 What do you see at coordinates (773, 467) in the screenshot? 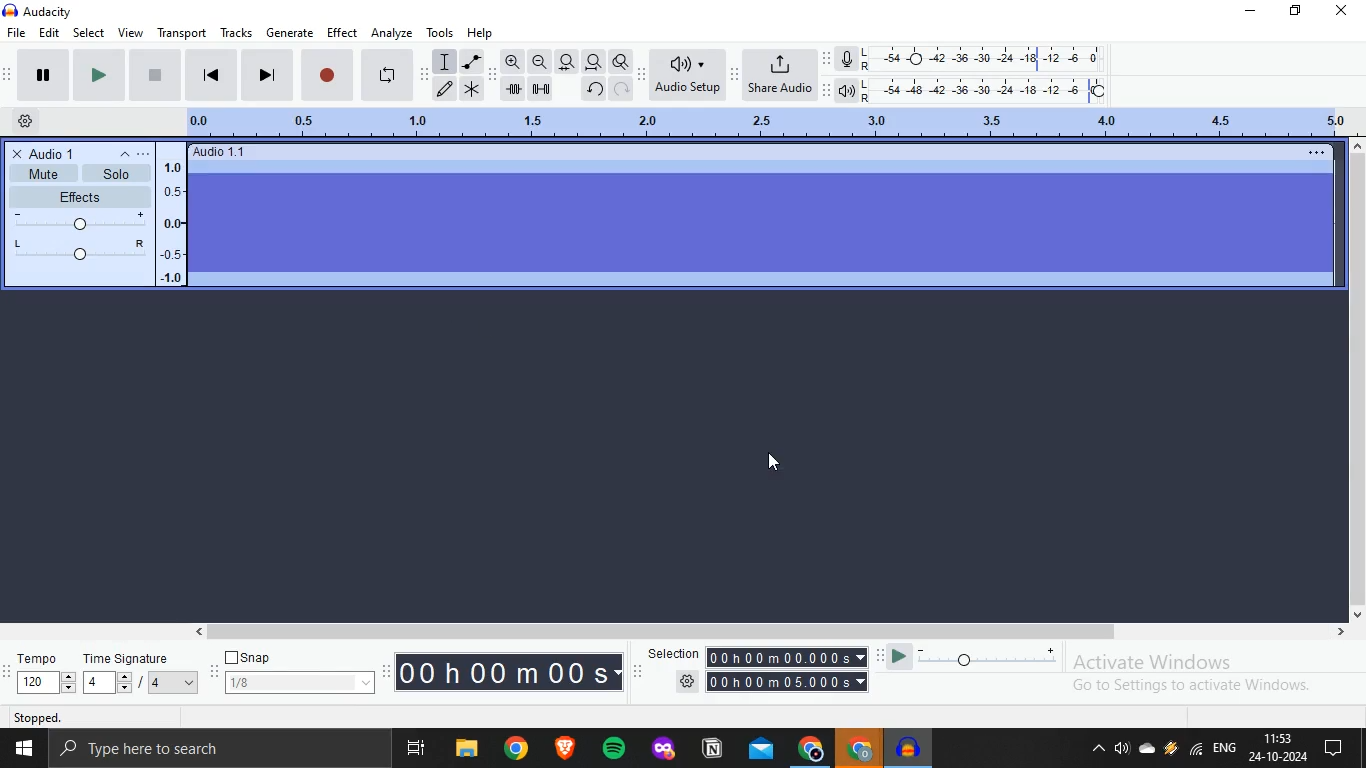
I see `Cursor` at bounding box center [773, 467].